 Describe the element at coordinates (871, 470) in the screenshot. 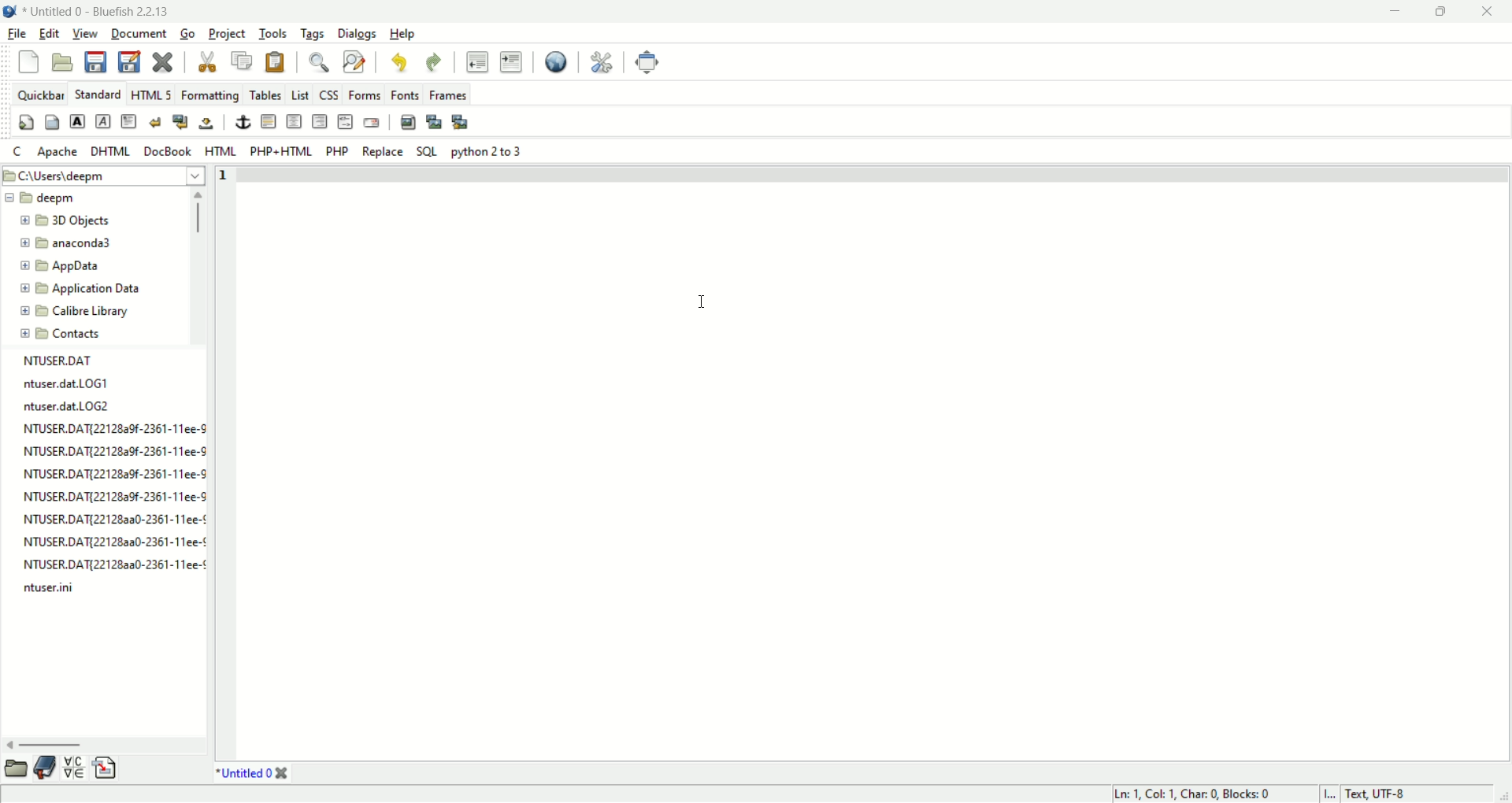

I see `workspace` at that location.